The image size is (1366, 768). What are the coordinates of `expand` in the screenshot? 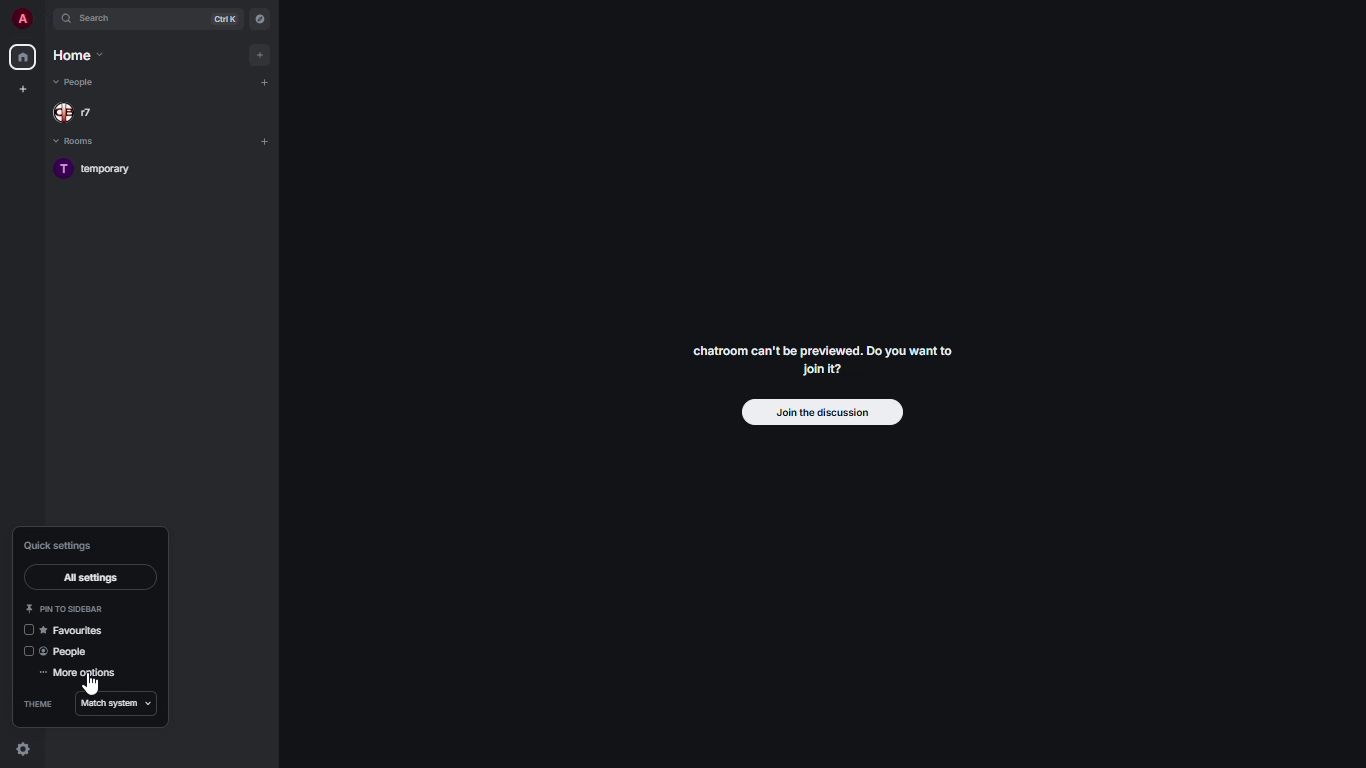 It's located at (45, 20).